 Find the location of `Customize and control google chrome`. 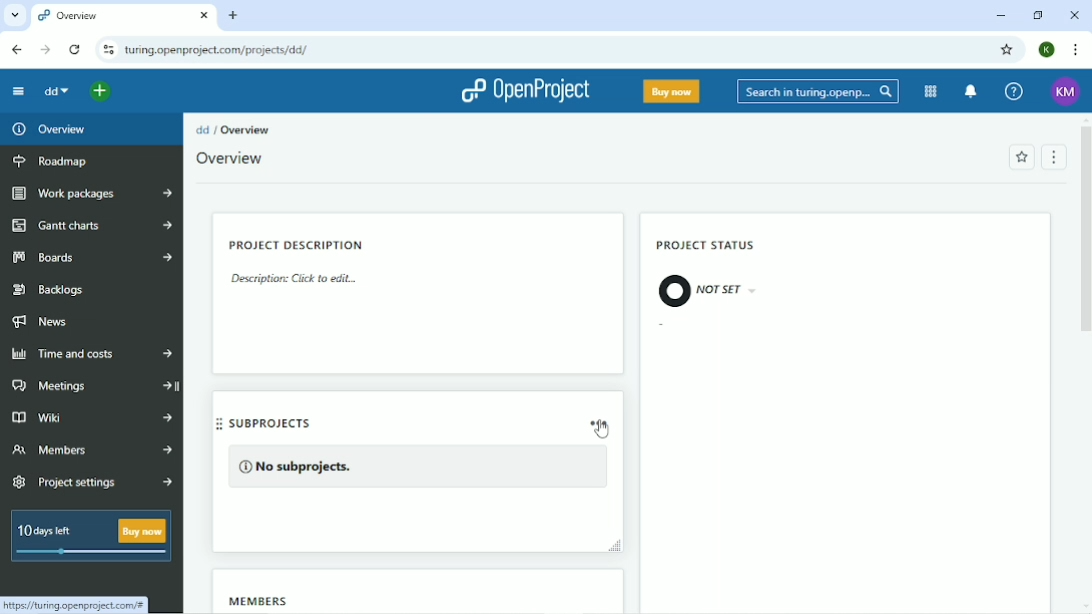

Customize and control google chrome is located at coordinates (1074, 51).